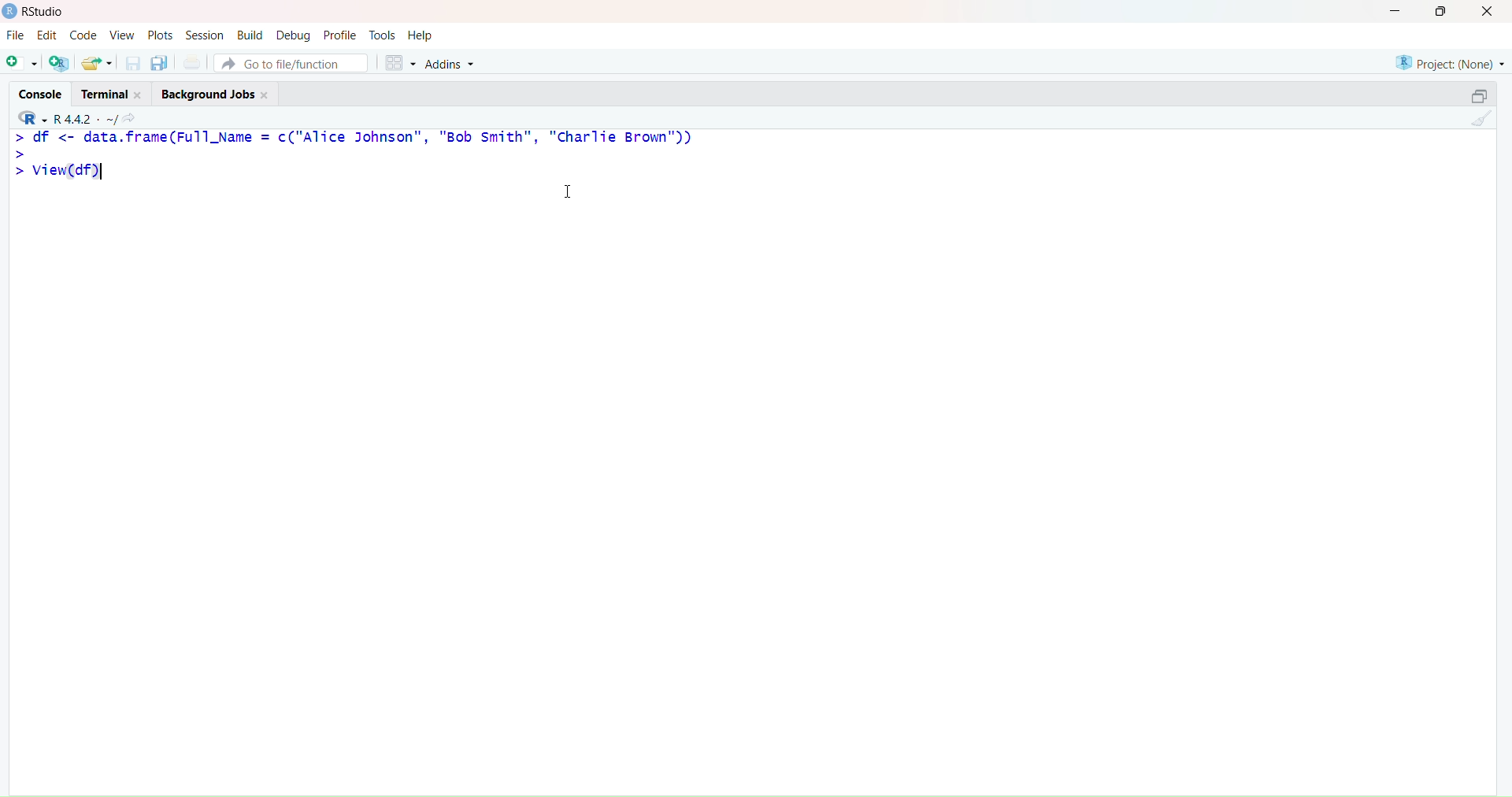 The width and height of the screenshot is (1512, 797). I want to click on Build, so click(250, 34).